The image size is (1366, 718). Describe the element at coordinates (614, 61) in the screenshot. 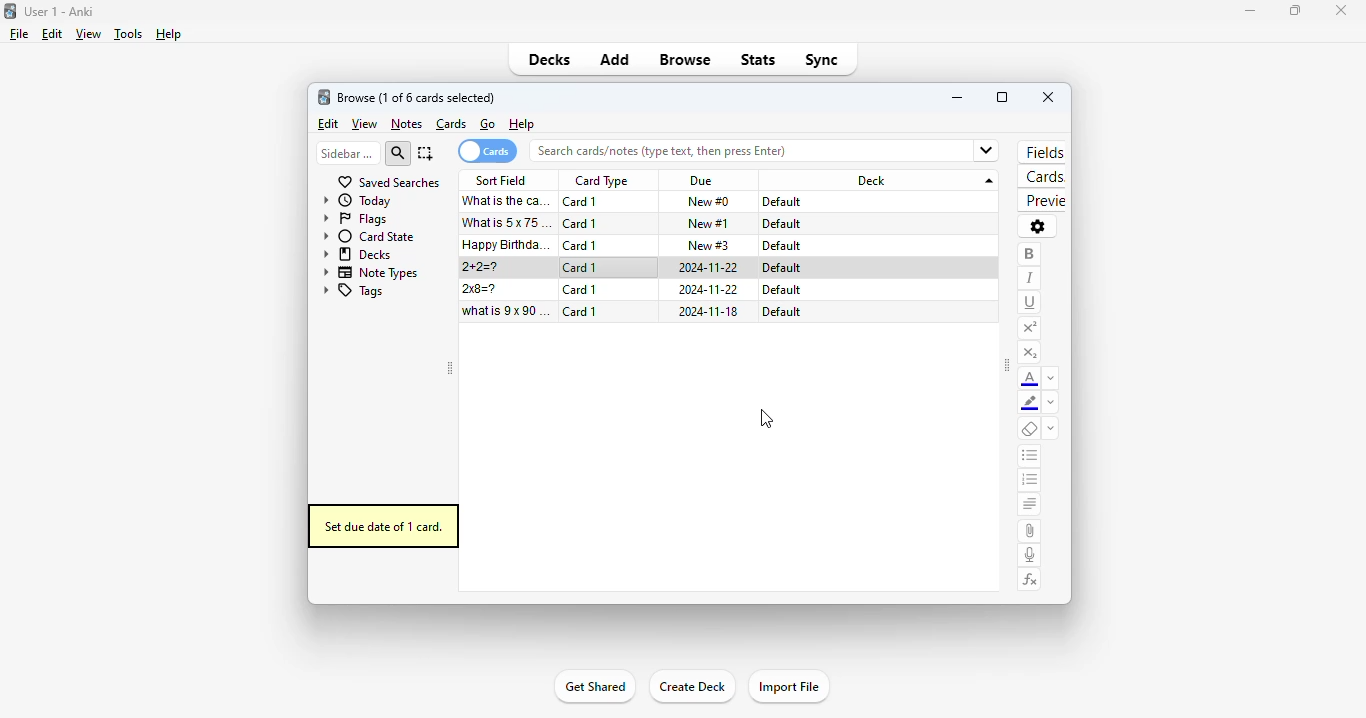

I see `add` at that location.